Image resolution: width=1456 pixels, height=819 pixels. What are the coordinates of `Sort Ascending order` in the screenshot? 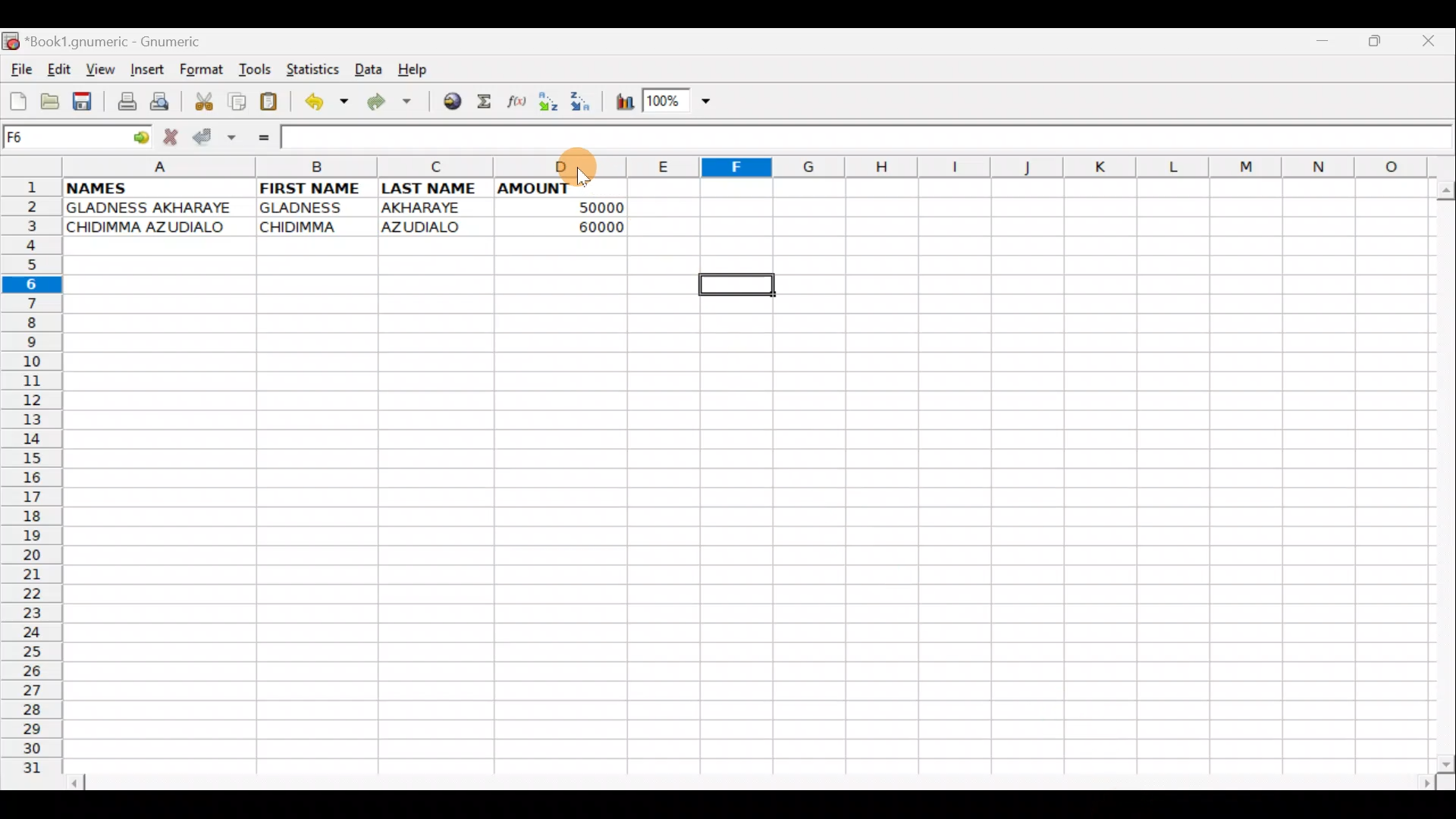 It's located at (550, 102).